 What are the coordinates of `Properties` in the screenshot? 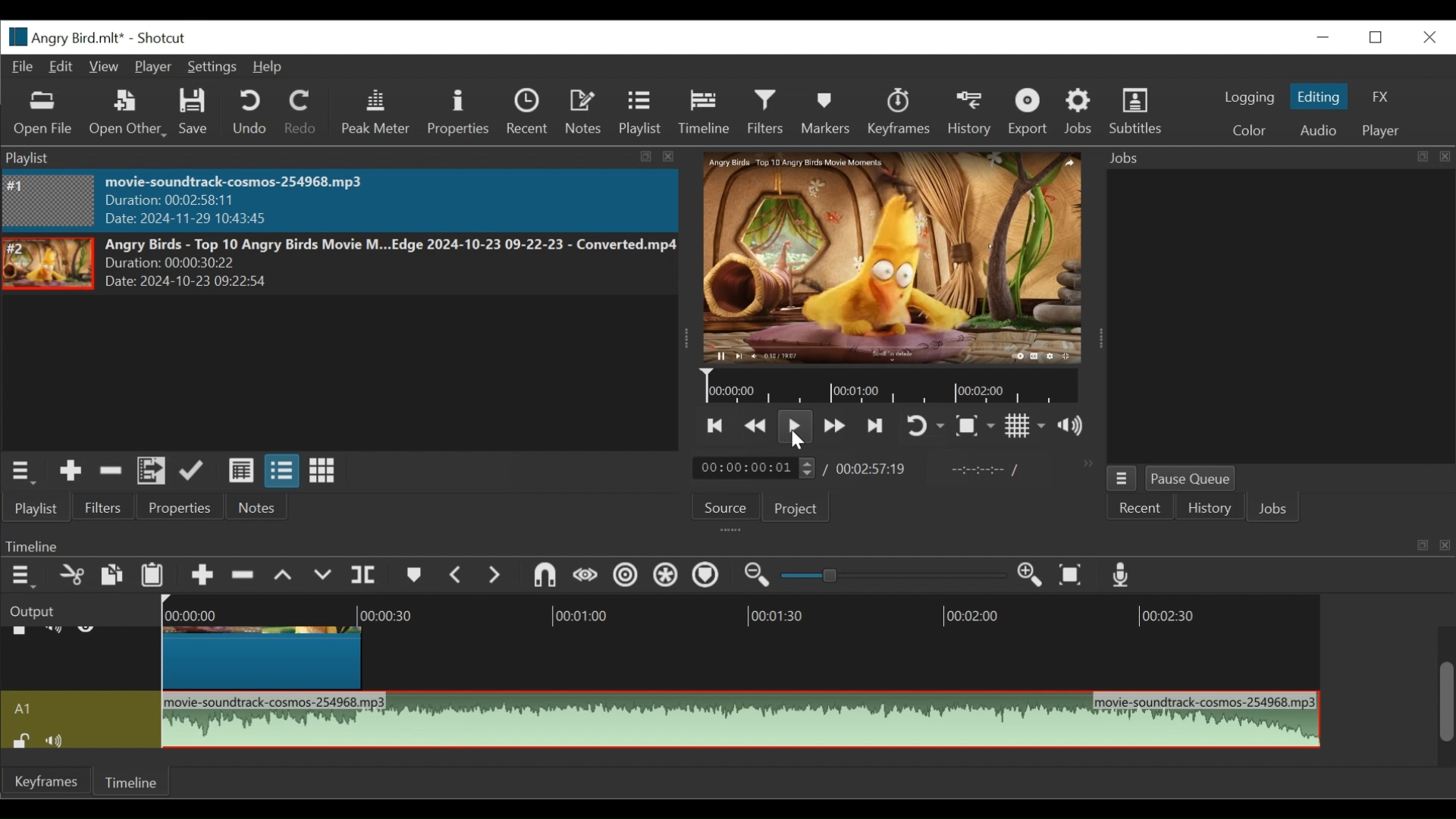 It's located at (458, 111).